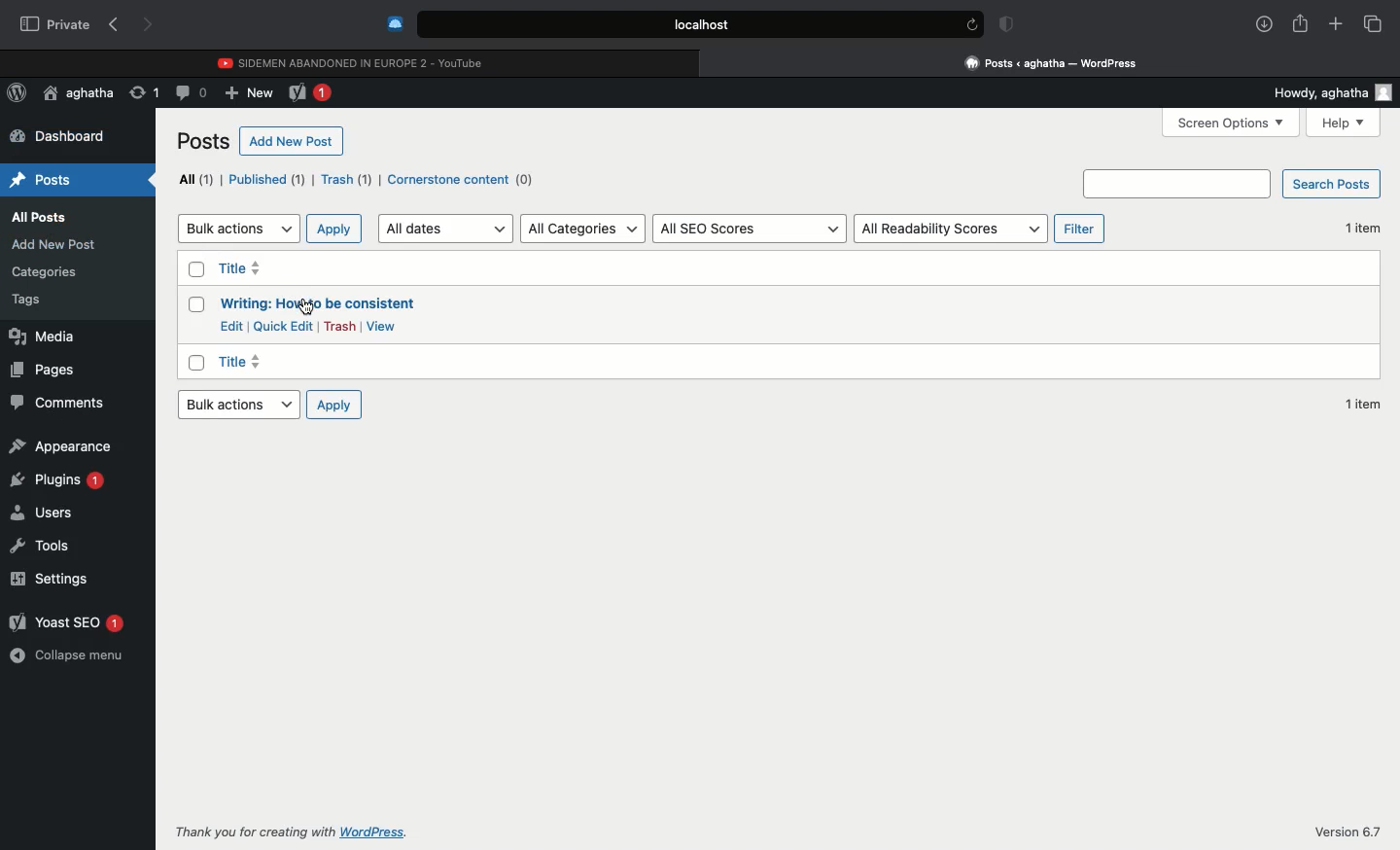  I want to click on Version 6.7, so click(1349, 832).